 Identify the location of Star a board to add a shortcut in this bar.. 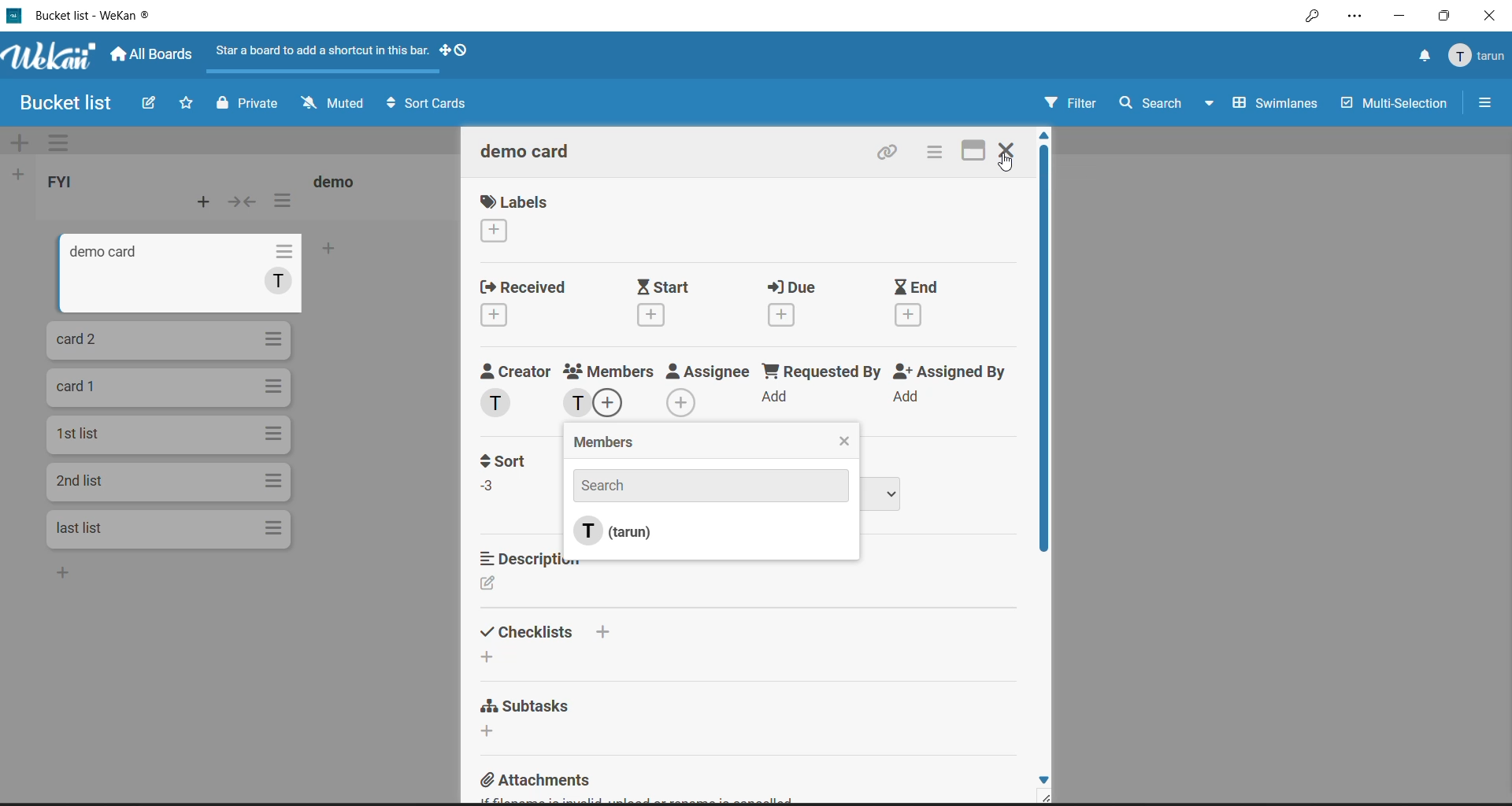
(324, 50).